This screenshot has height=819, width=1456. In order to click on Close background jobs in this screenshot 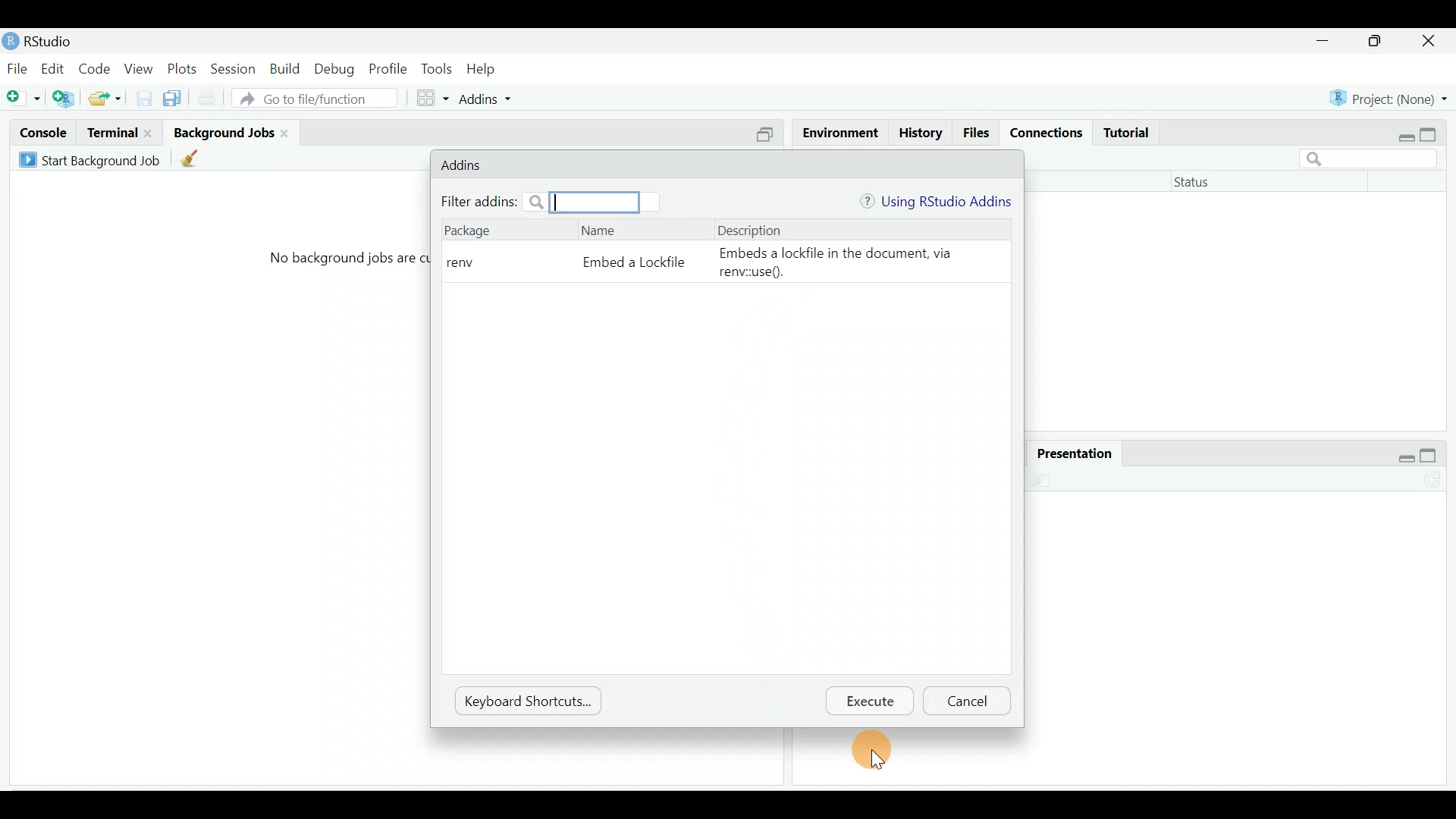, I will do `click(291, 132)`.